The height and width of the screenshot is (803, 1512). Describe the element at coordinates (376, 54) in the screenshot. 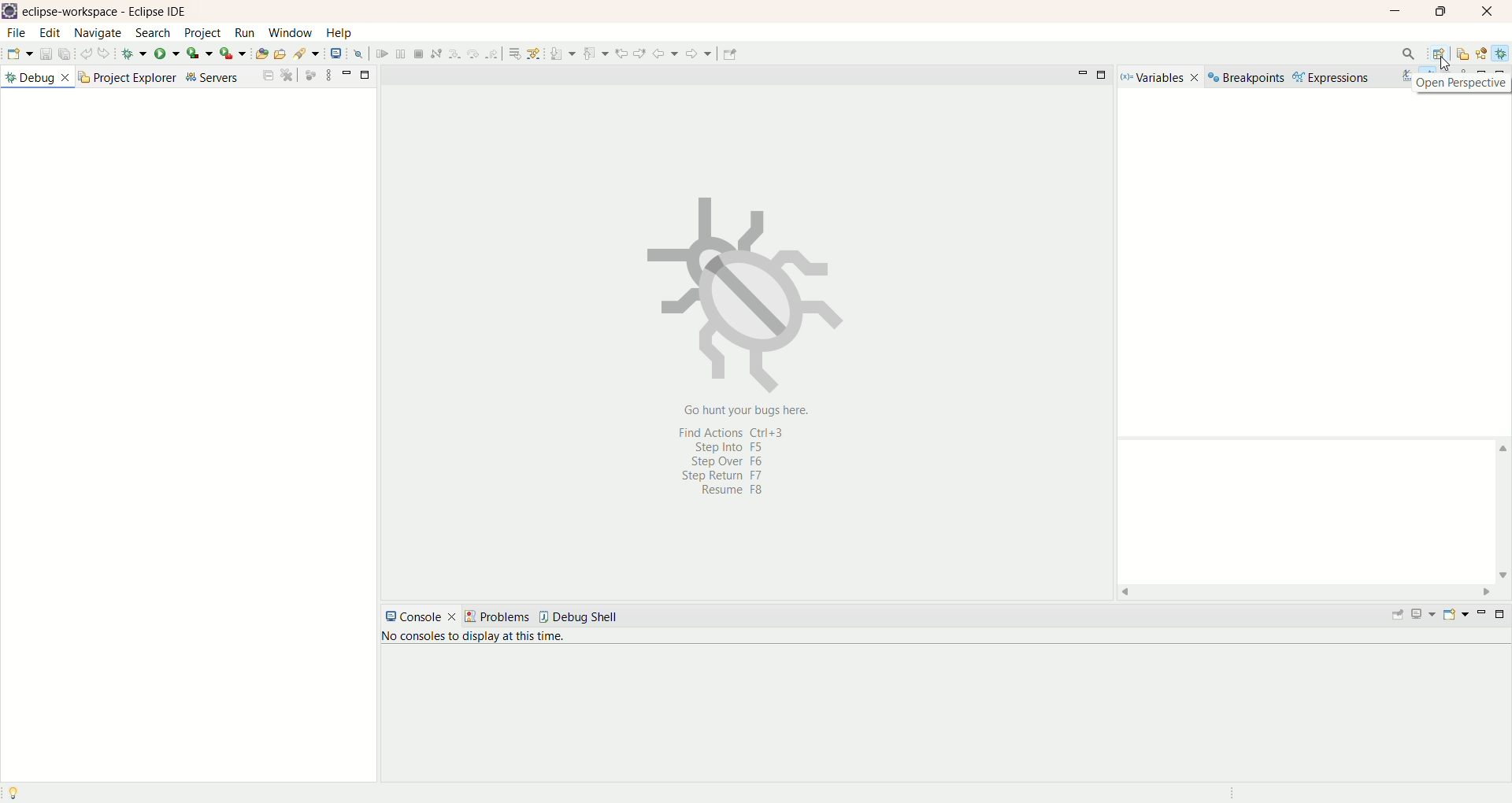

I see `search` at that location.